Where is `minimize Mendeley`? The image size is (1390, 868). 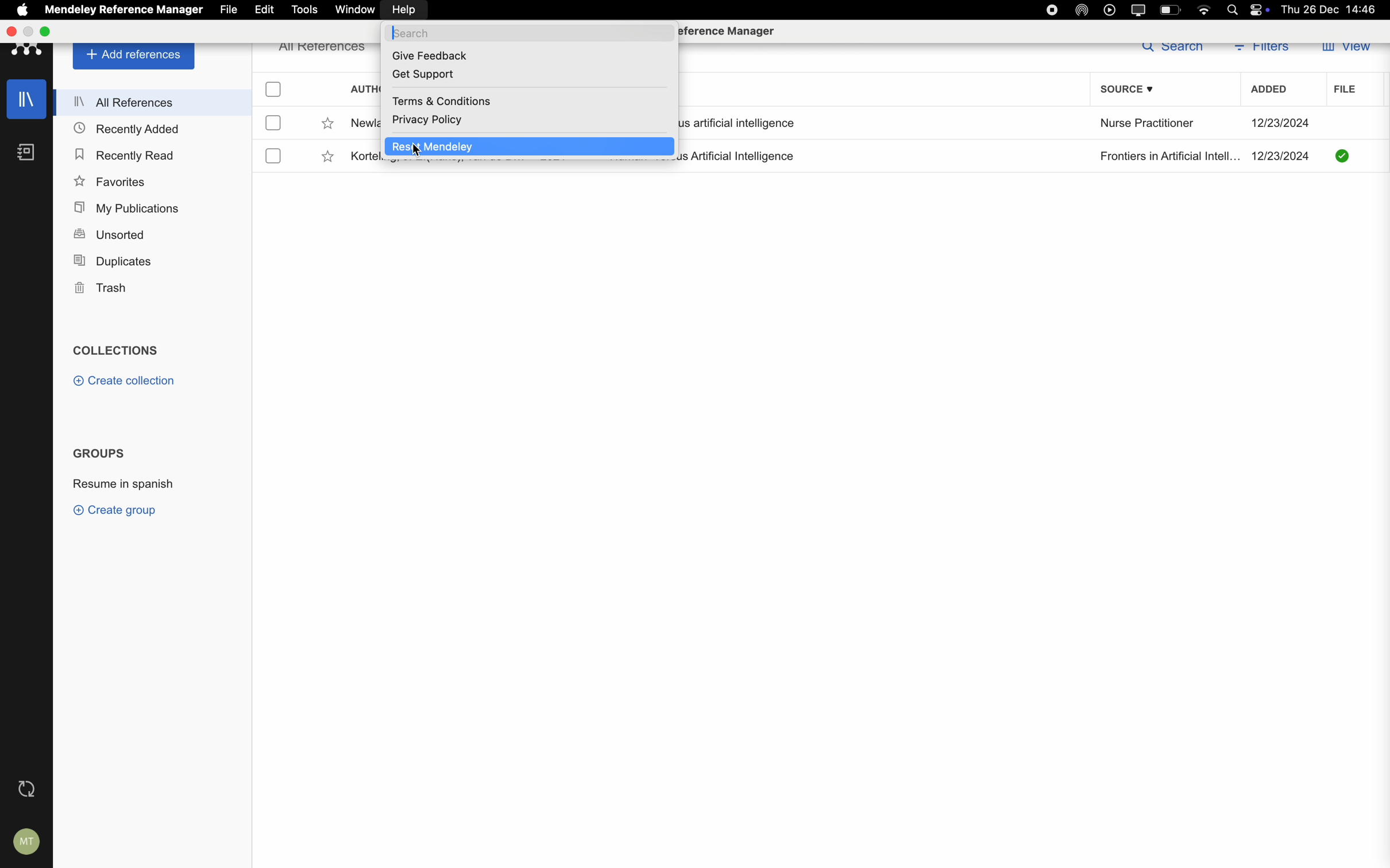
minimize Mendeley is located at coordinates (29, 31).